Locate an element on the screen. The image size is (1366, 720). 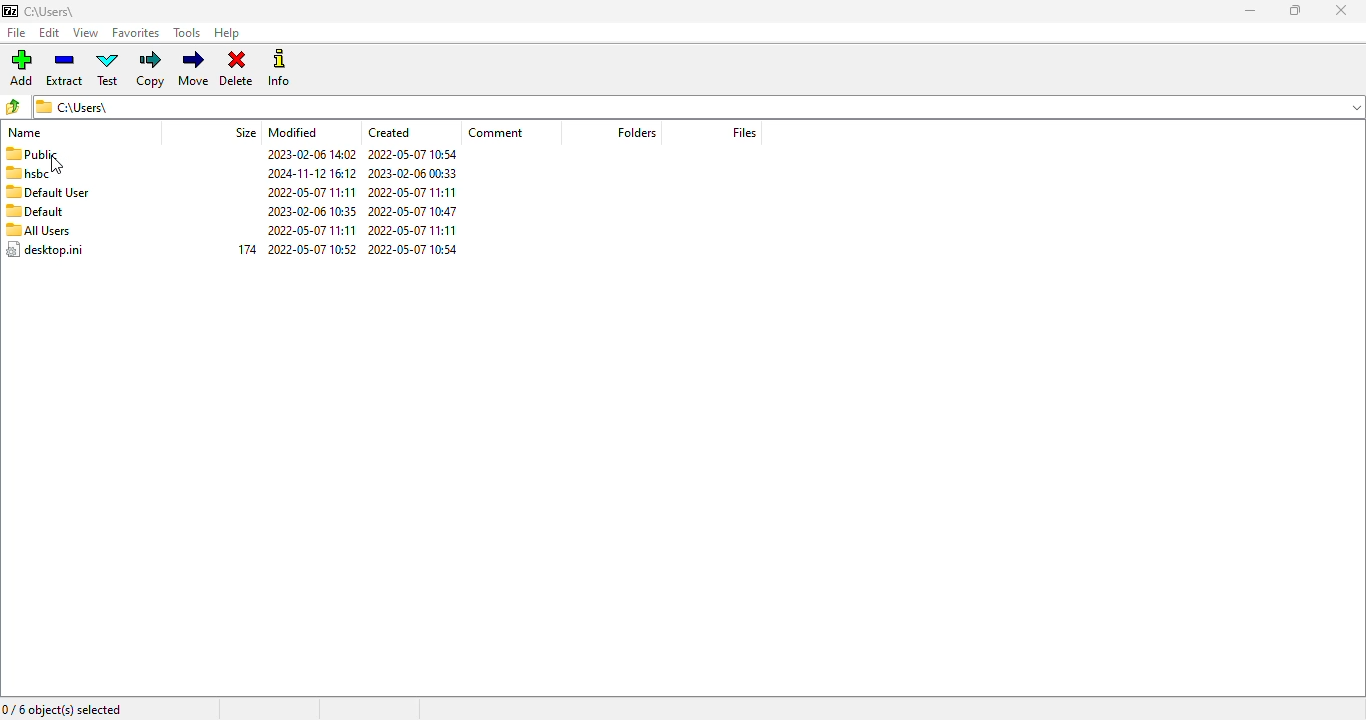
copy is located at coordinates (151, 69).